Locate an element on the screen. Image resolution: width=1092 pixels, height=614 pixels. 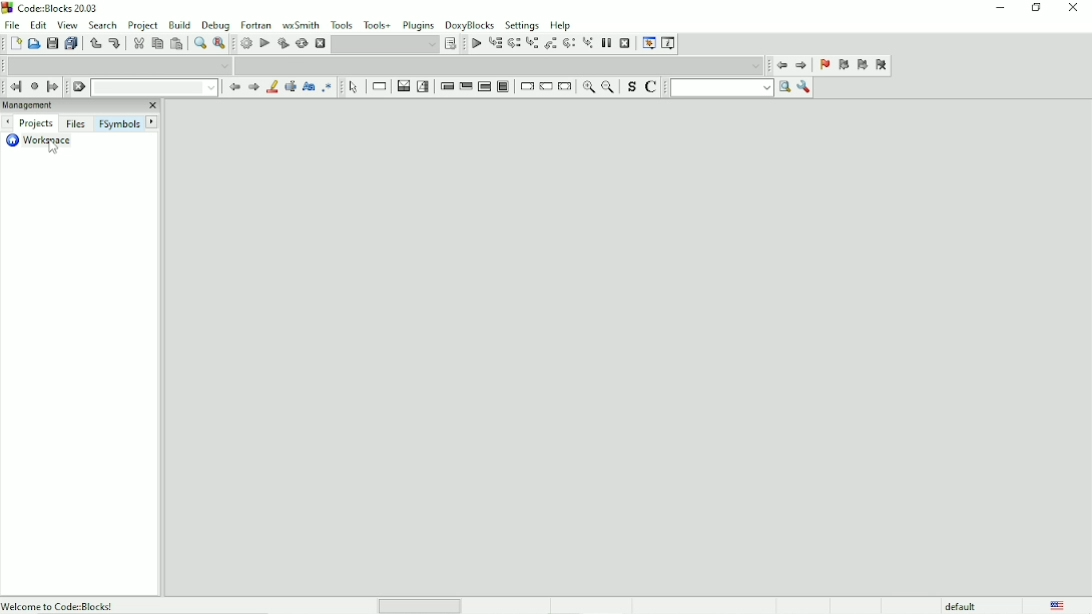
Toggle source is located at coordinates (631, 88).